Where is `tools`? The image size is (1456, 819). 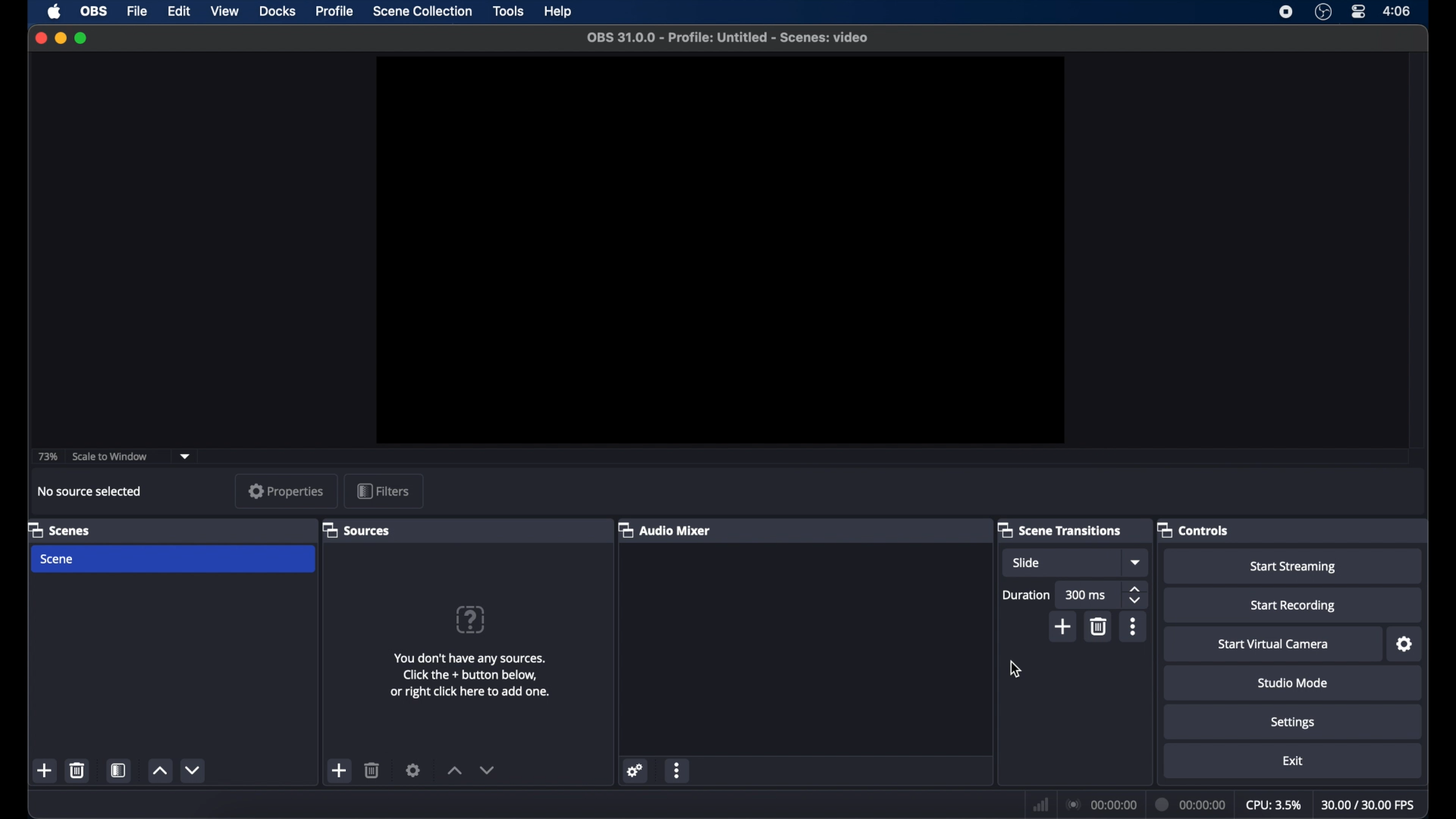 tools is located at coordinates (508, 10).